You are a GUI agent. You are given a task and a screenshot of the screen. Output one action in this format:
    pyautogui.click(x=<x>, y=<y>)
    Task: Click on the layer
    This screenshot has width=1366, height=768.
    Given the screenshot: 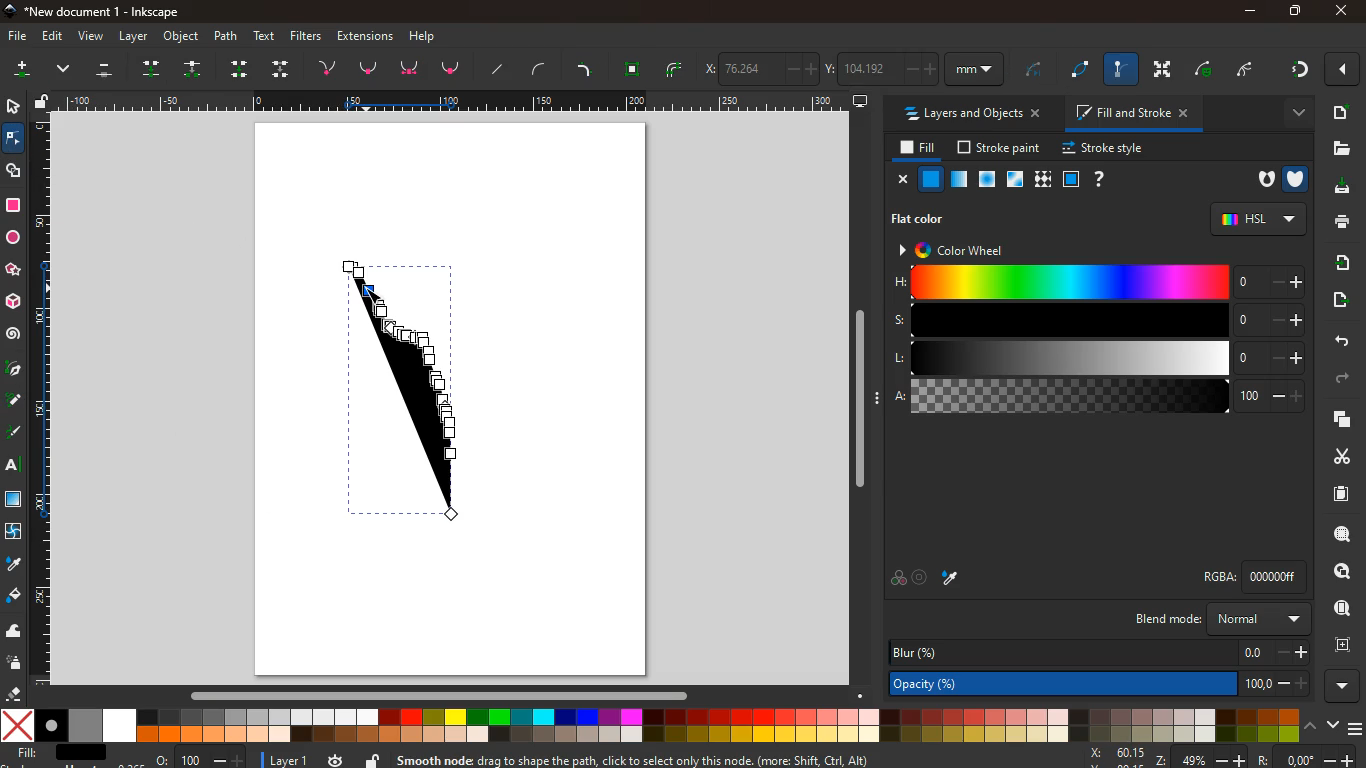 What is the action you would take?
    pyautogui.click(x=134, y=36)
    